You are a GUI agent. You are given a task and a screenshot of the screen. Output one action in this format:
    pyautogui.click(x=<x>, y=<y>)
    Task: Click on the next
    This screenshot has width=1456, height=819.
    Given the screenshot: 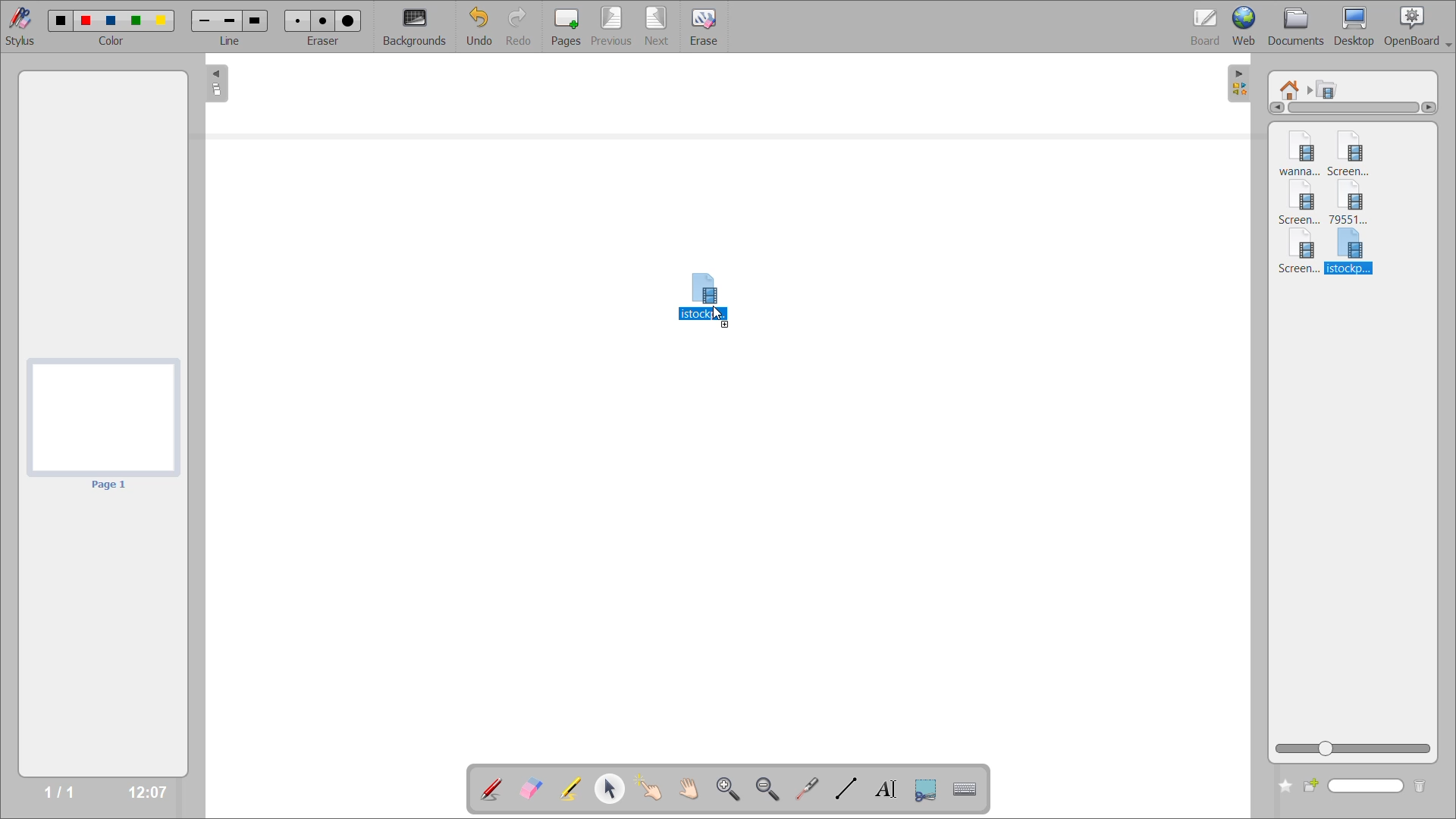 What is the action you would take?
    pyautogui.click(x=656, y=25)
    